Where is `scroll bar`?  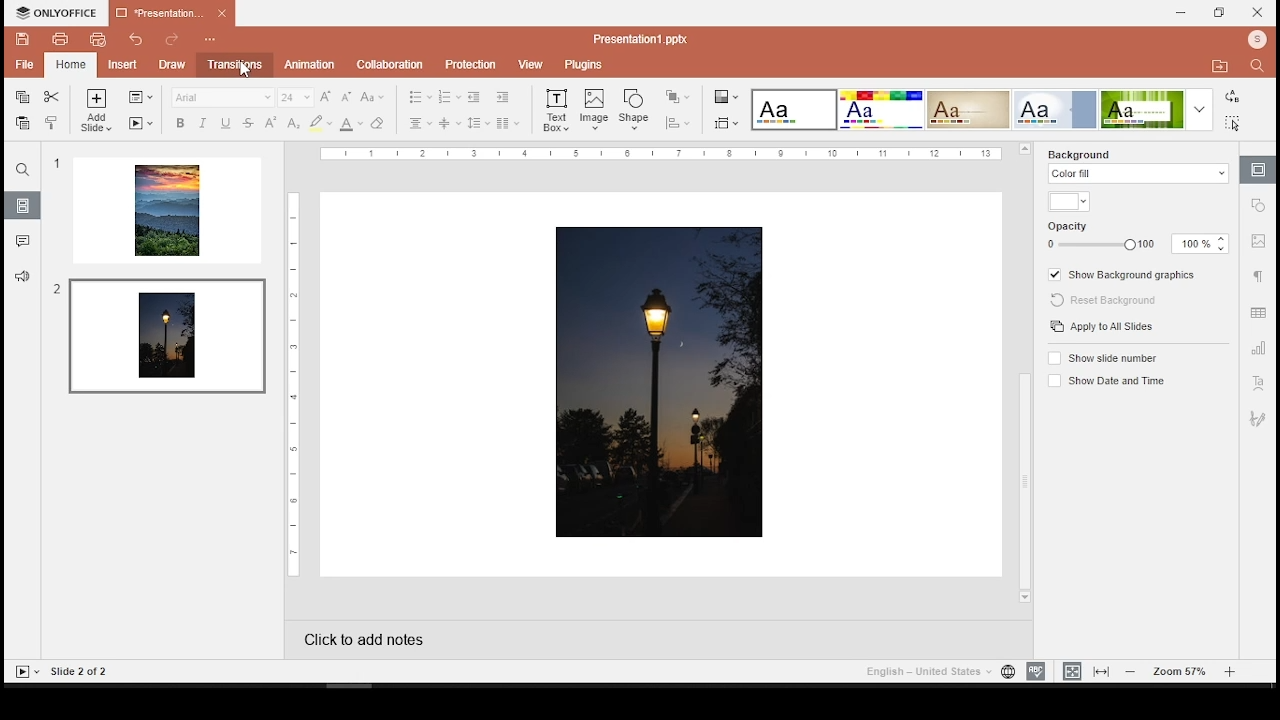 scroll bar is located at coordinates (1023, 375).